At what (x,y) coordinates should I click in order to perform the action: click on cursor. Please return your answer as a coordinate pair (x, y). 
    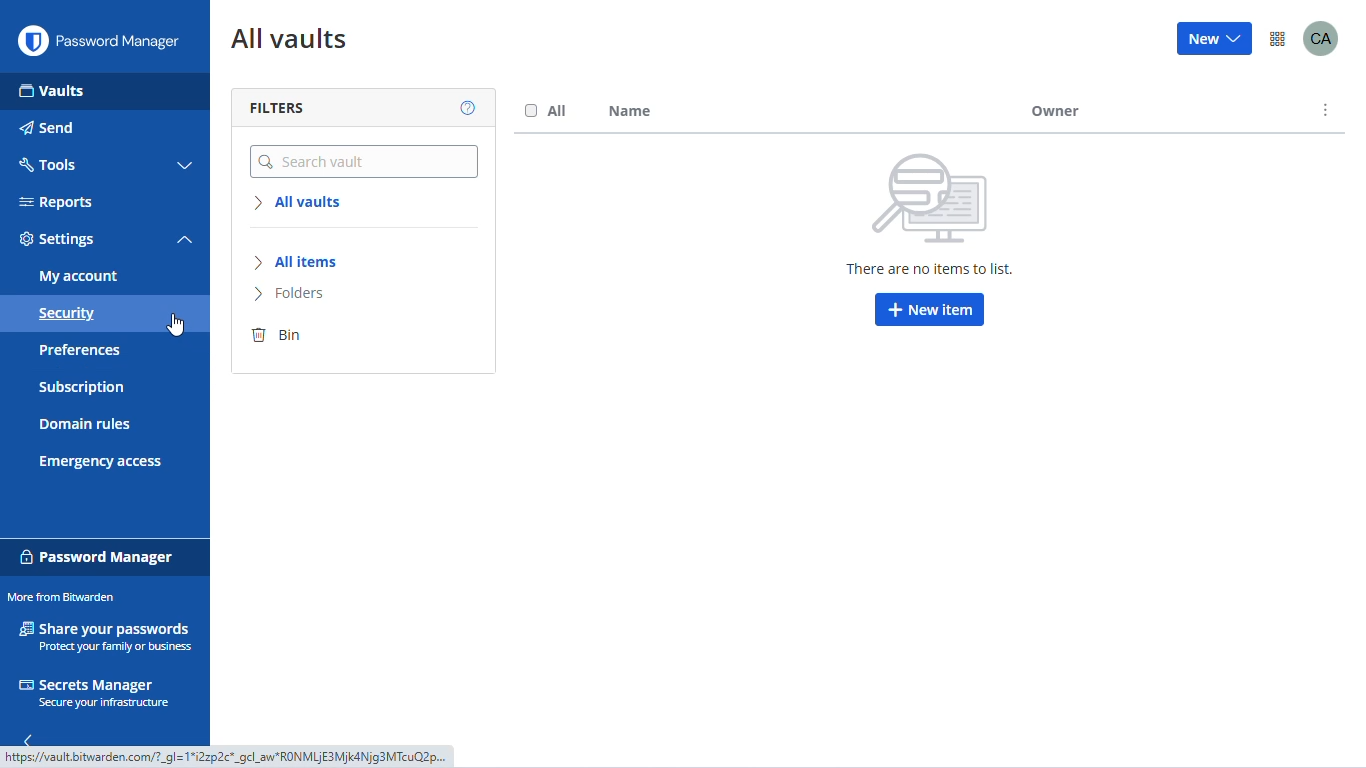
    Looking at the image, I should click on (176, 325).